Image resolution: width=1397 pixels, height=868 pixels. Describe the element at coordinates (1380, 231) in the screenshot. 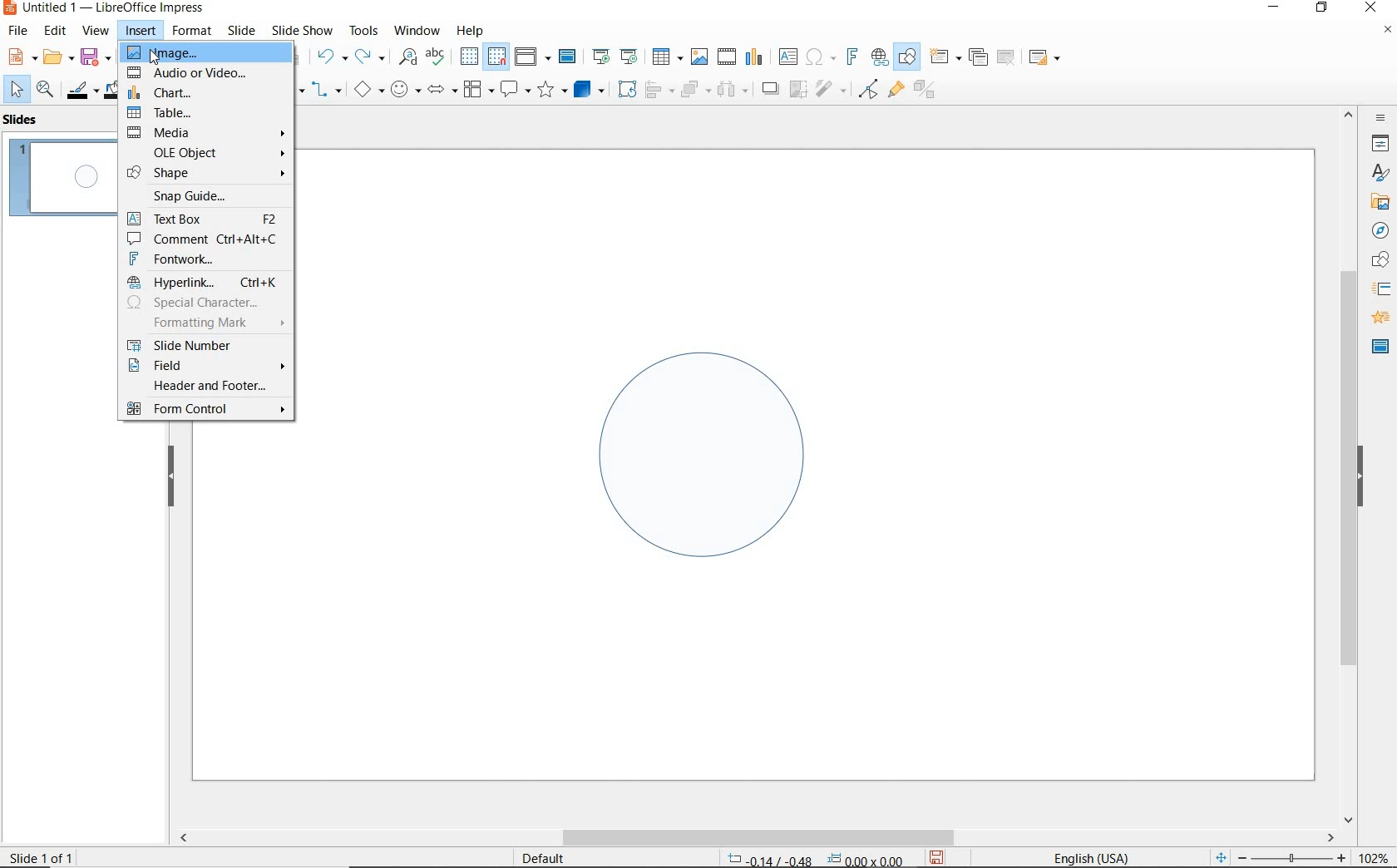

I see `navigator` at that location.